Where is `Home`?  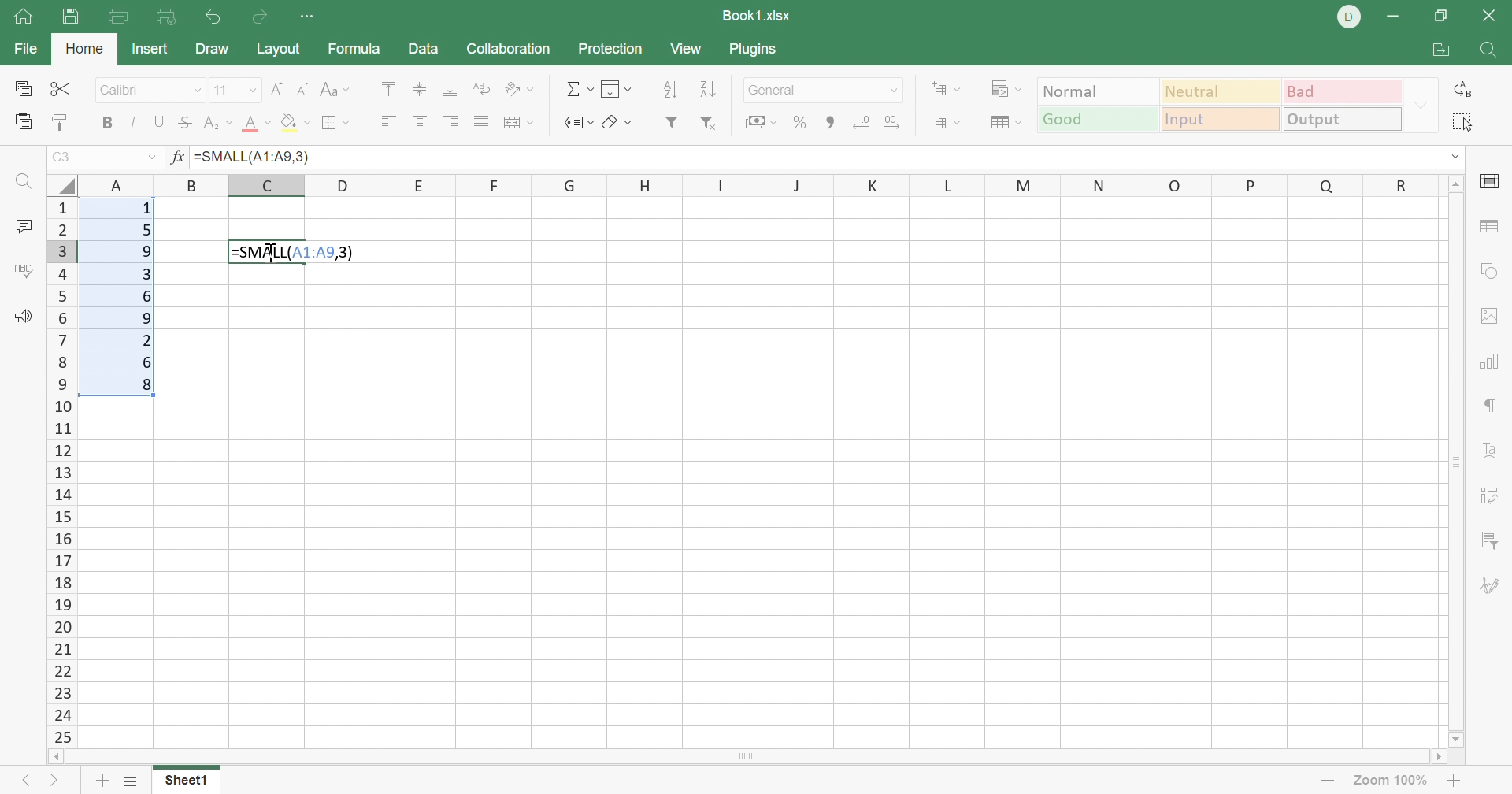 Home is located at coordinates (85, 49).